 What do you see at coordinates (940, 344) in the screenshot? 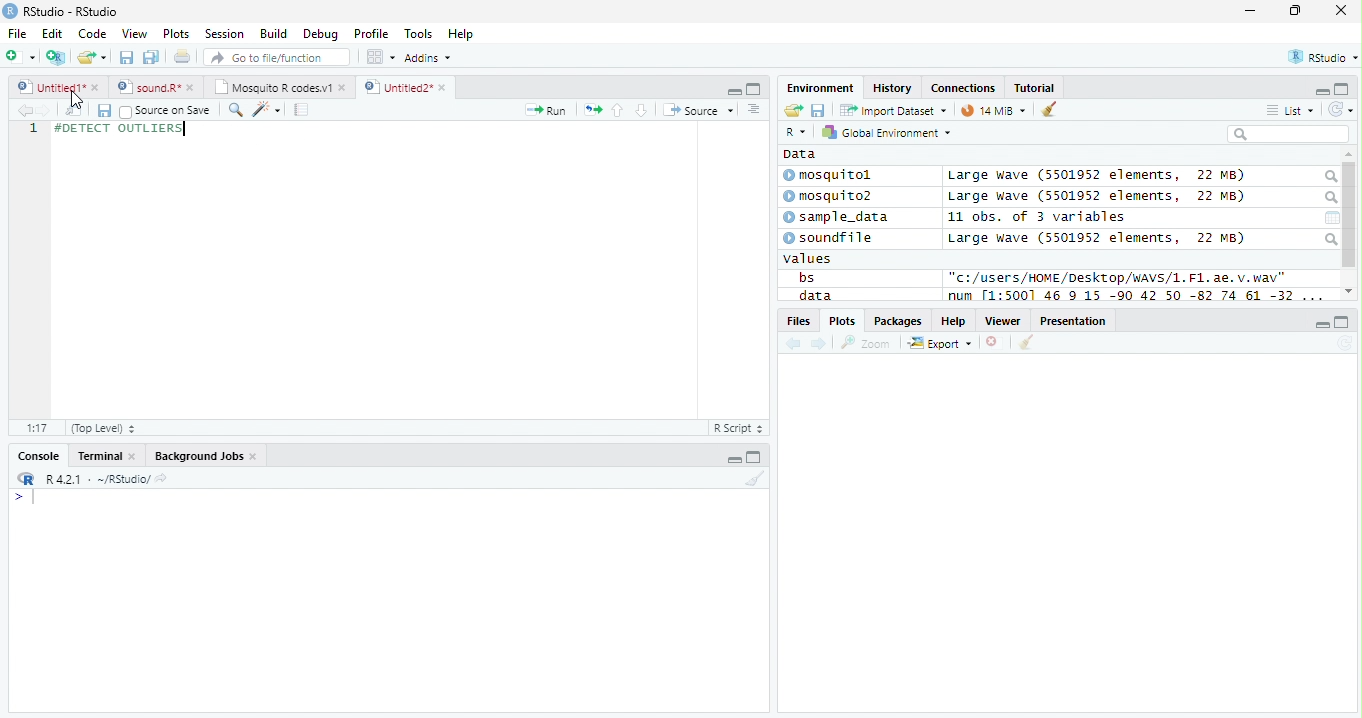
I see `Export` at bounding box center [940, 344].